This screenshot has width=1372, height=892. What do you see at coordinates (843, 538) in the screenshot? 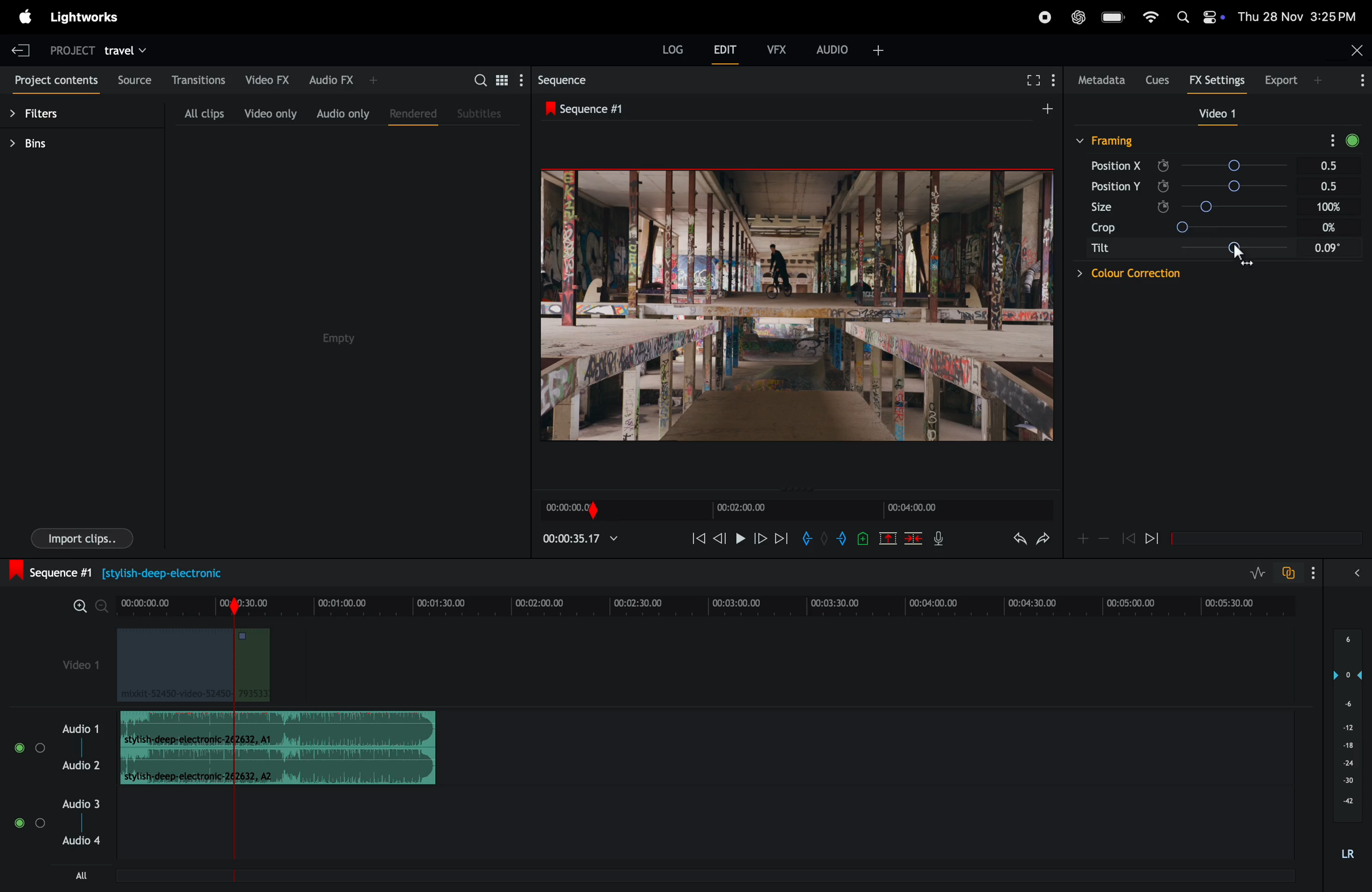
I see `add out mark` at bounding box center [843, 538].